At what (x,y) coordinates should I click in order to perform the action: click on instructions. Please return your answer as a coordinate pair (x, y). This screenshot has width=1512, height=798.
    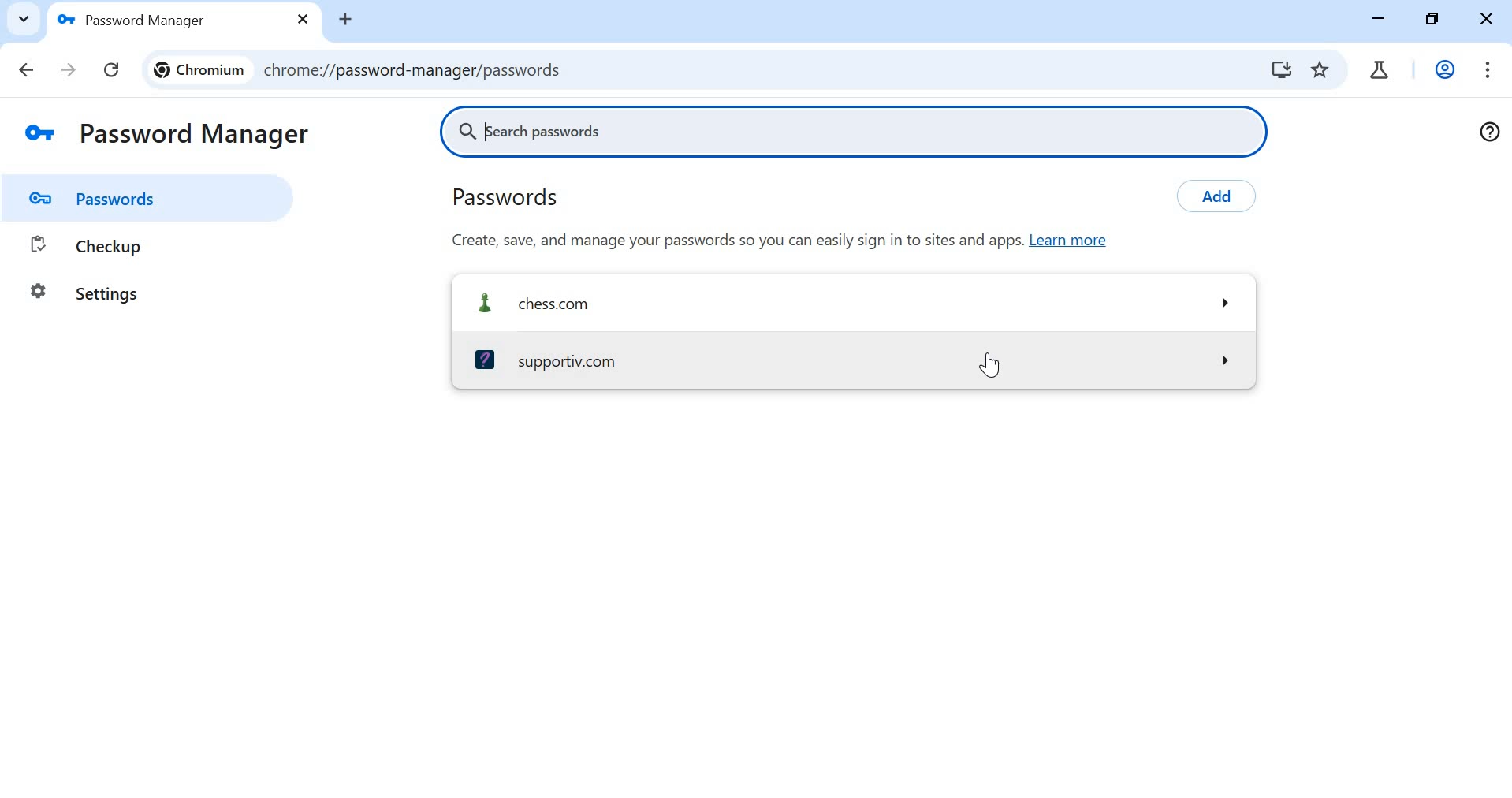
    Looking at the image, I should click on (796, 240).